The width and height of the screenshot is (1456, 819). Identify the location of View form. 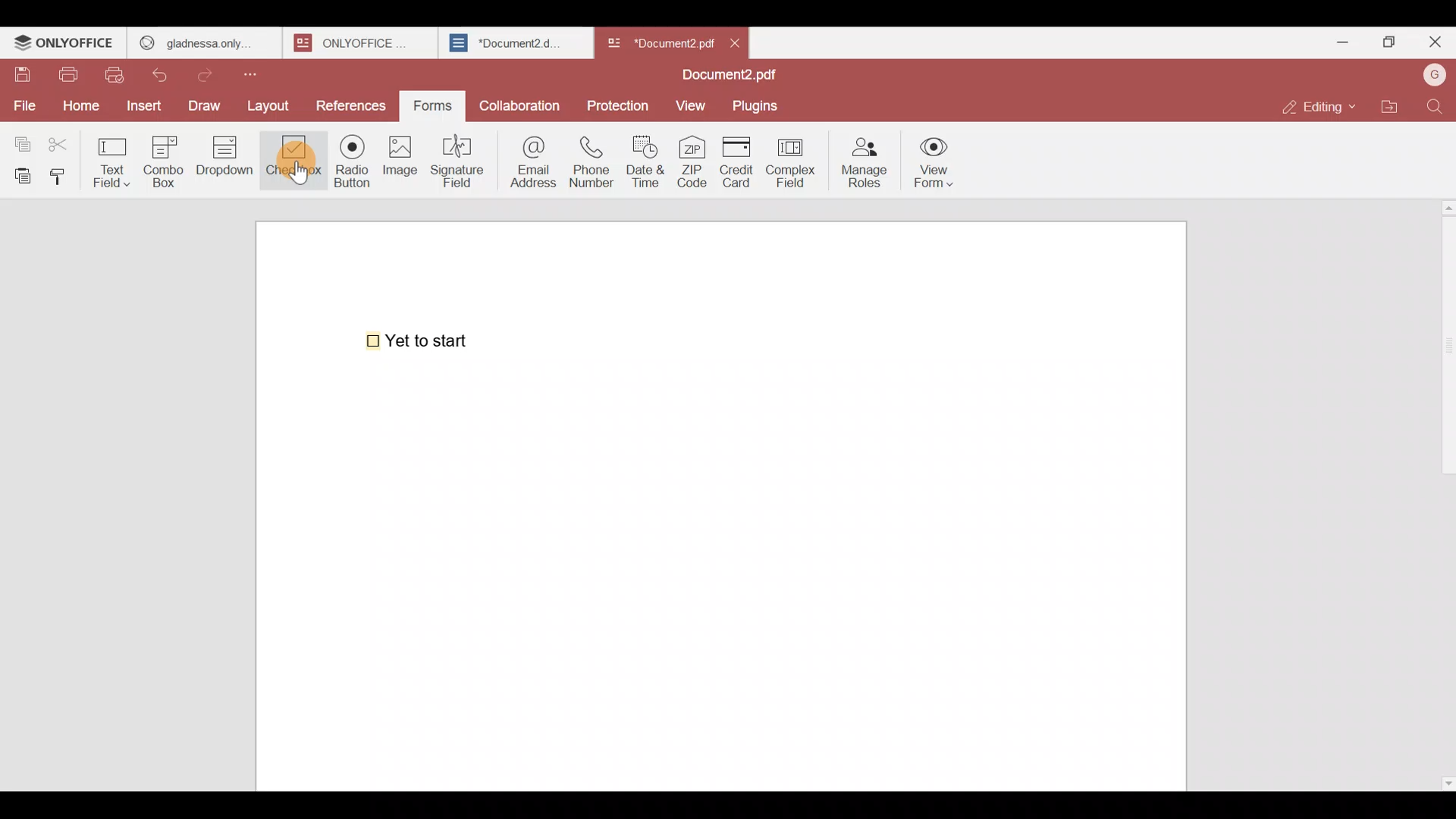
(936, 163).